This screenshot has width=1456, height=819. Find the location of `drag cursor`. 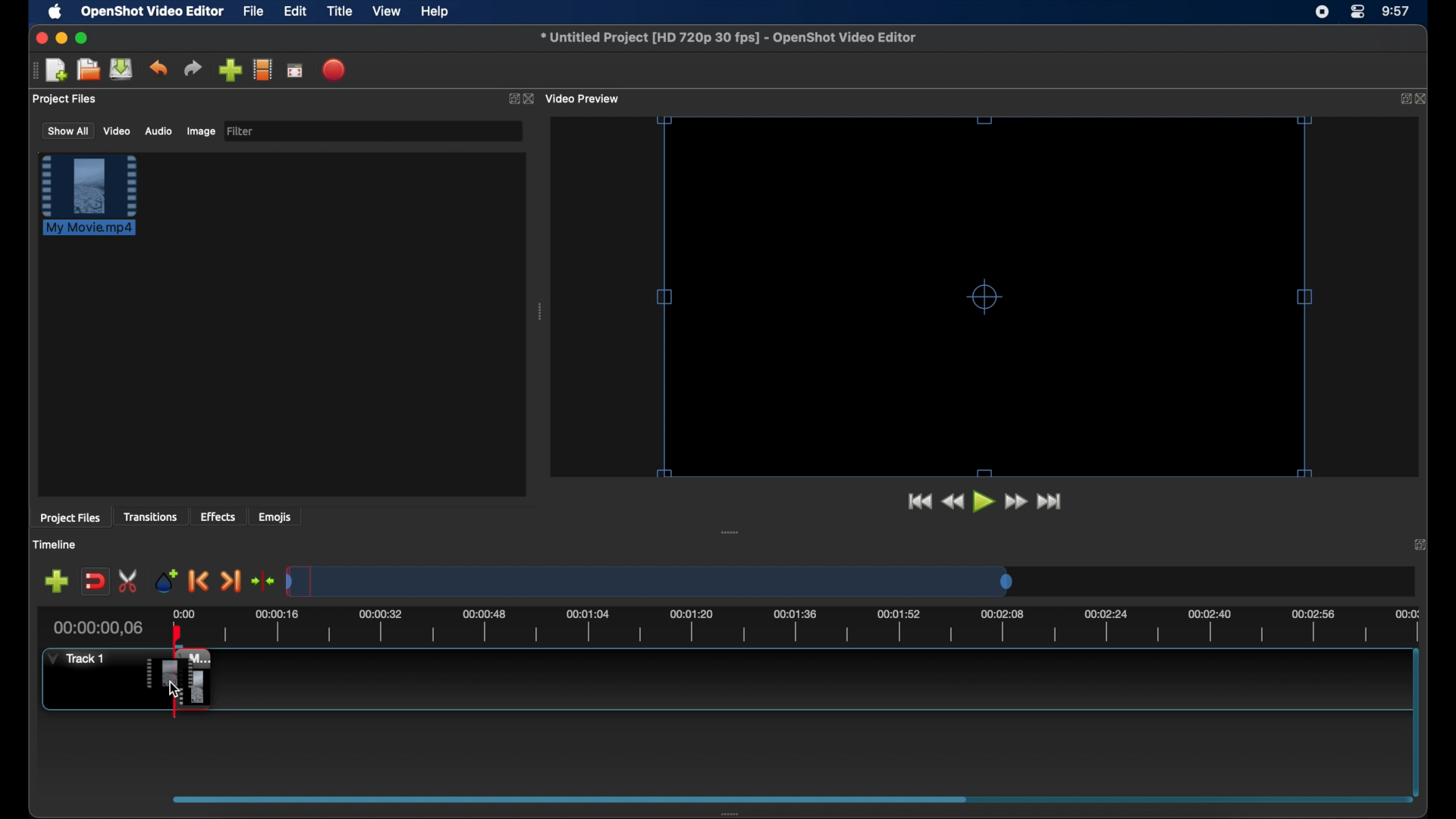

drag cursor is located at coordinates (179, 680).